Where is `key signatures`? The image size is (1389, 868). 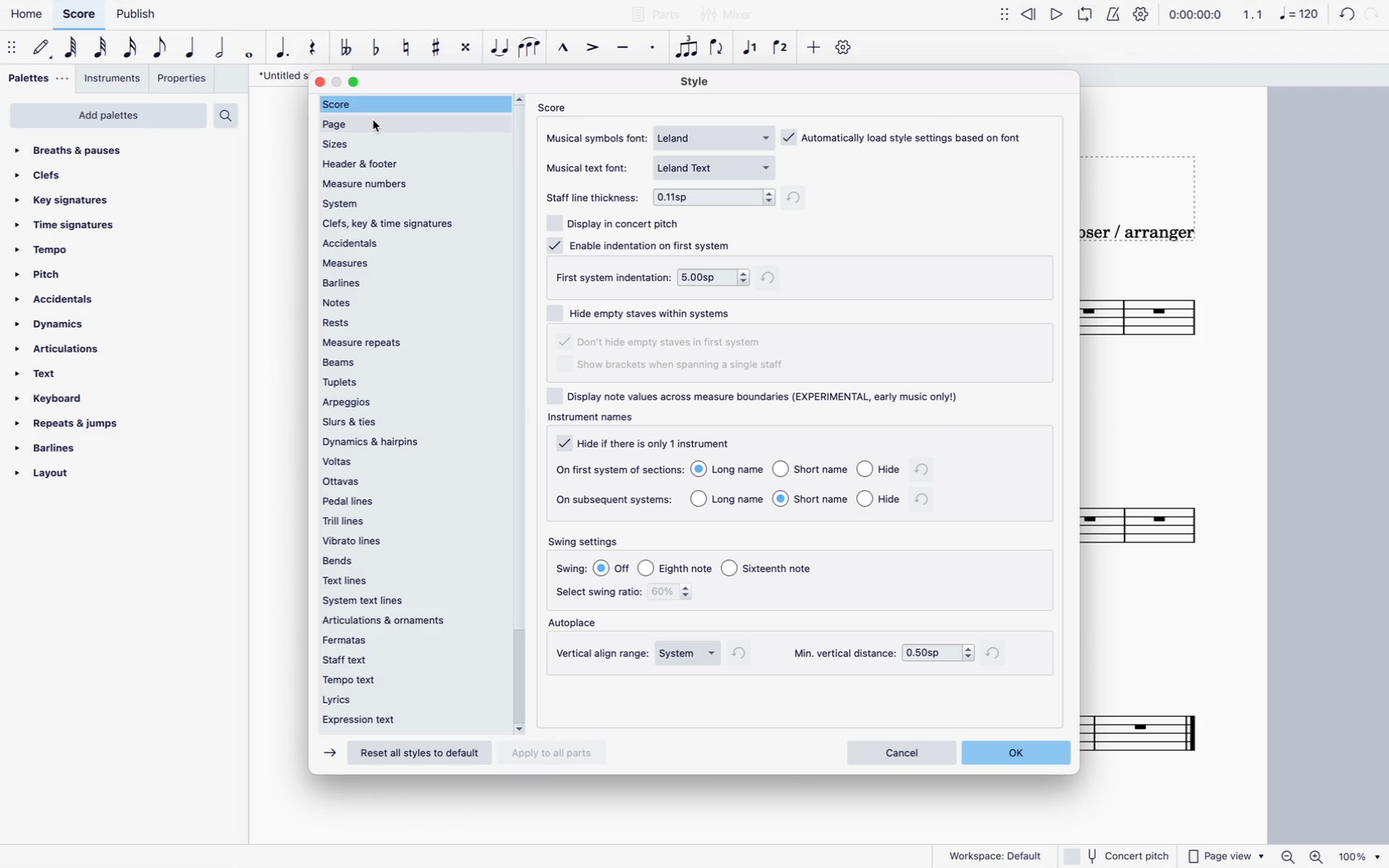 key signatures is located at coordinates (69, 200).